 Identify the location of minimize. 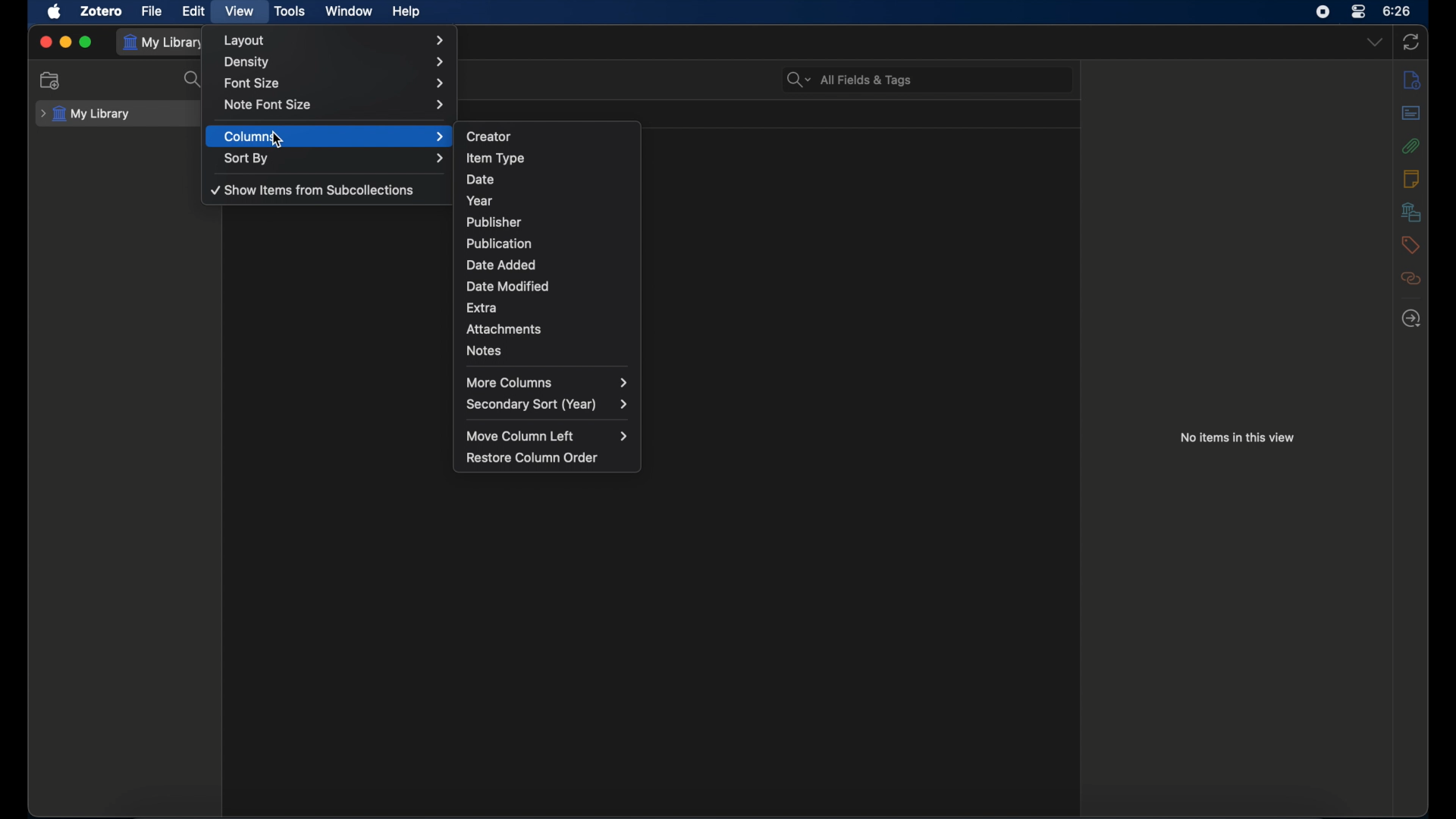
(65, 41).